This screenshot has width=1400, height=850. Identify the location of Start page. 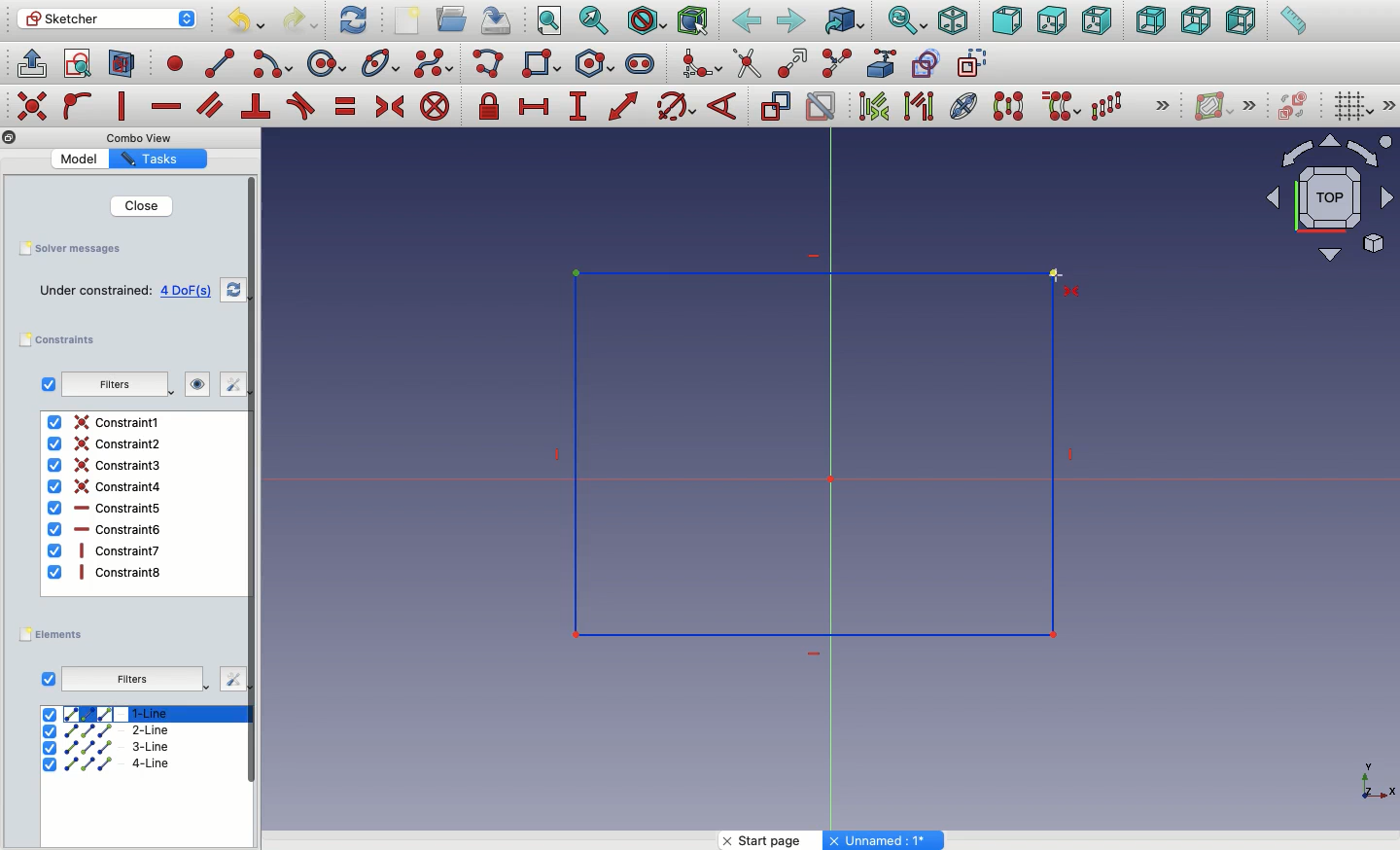
(773, 840).